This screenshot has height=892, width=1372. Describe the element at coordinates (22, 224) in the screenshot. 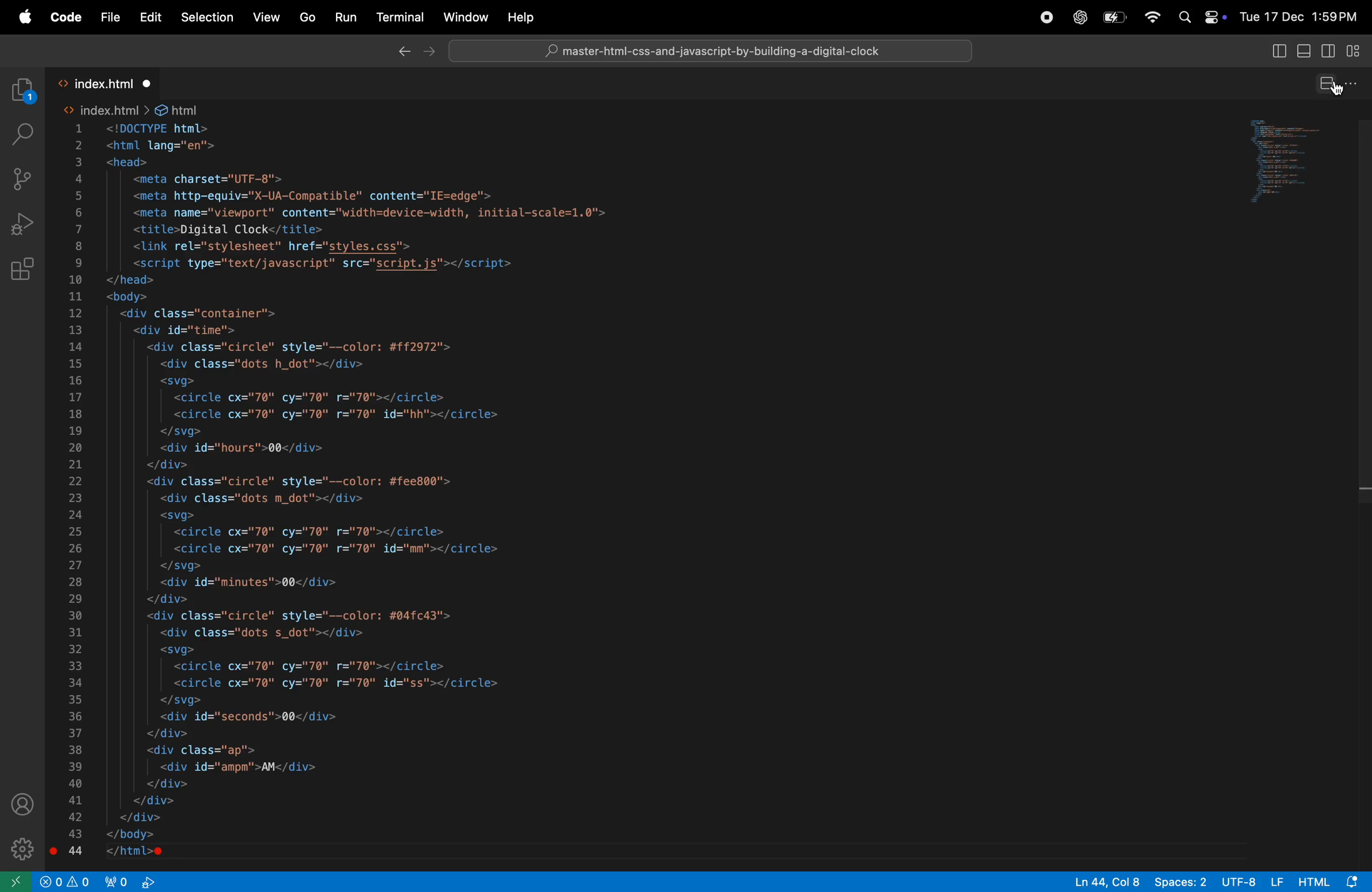

I see `run debug` at that location.